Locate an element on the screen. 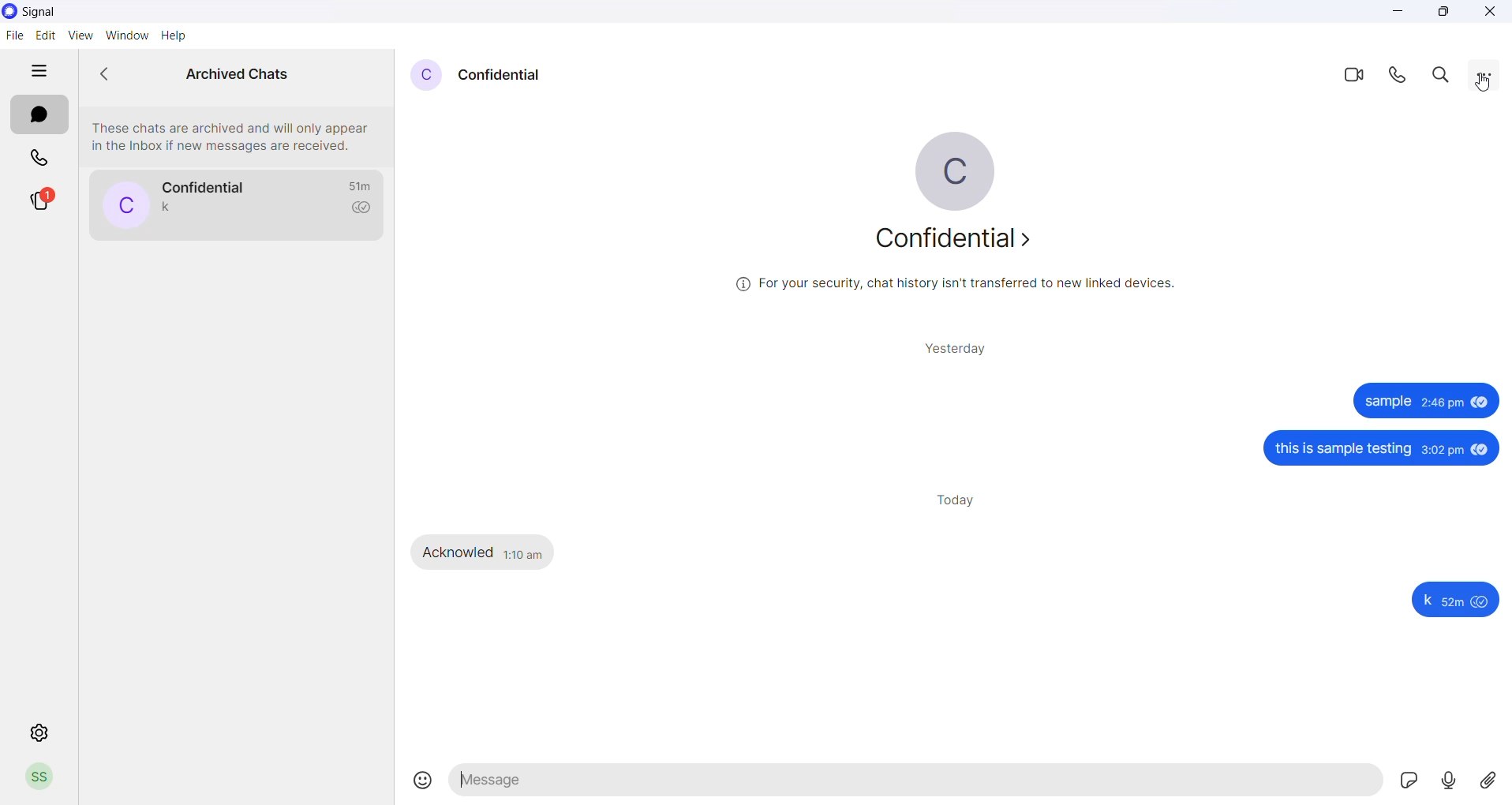 The width and height of the screenshot is (1512, 805). hide is located at coordinates (37, 72).